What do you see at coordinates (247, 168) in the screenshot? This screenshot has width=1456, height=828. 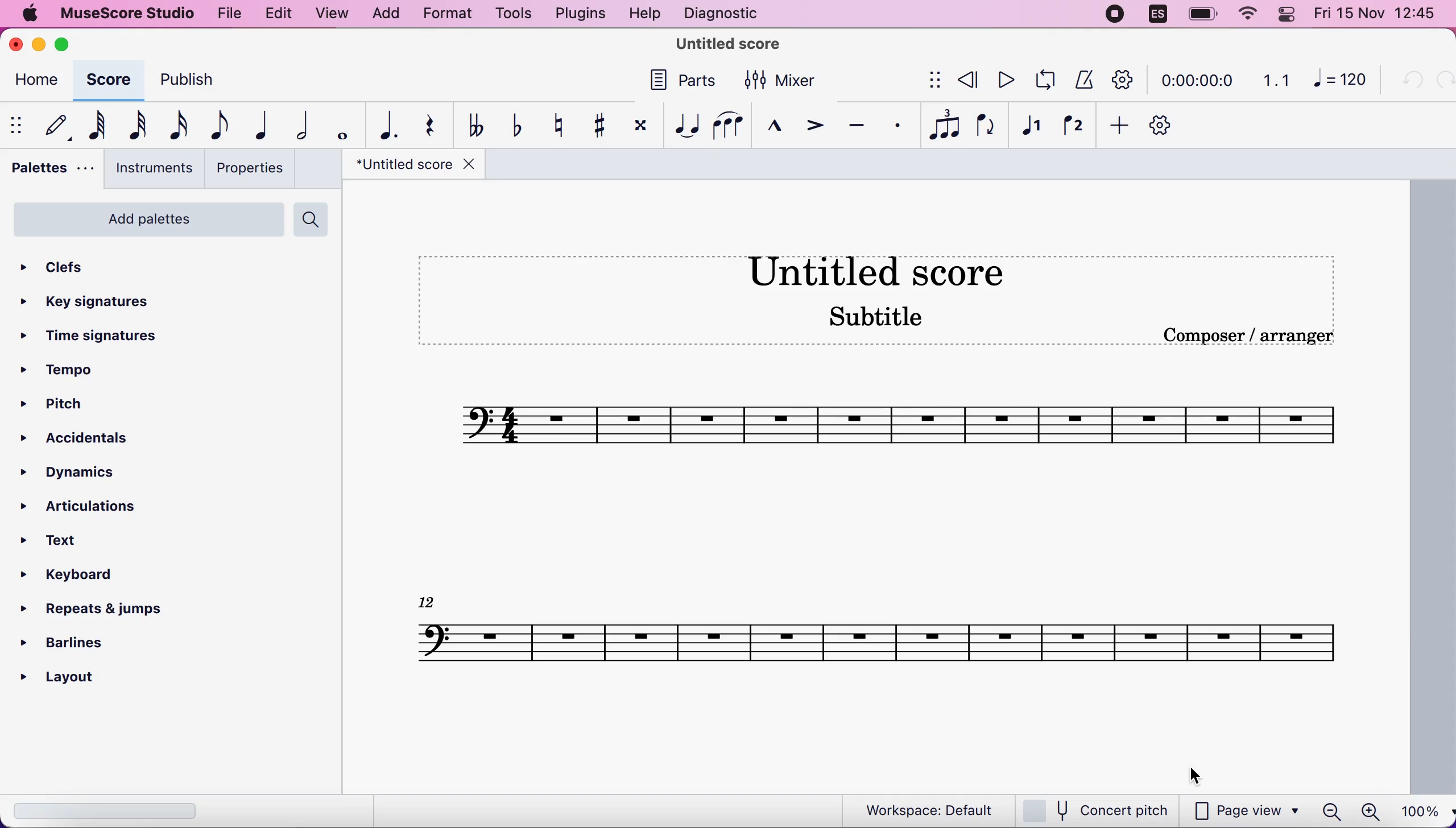 I see `Properties` at bounding box center [247, 168].